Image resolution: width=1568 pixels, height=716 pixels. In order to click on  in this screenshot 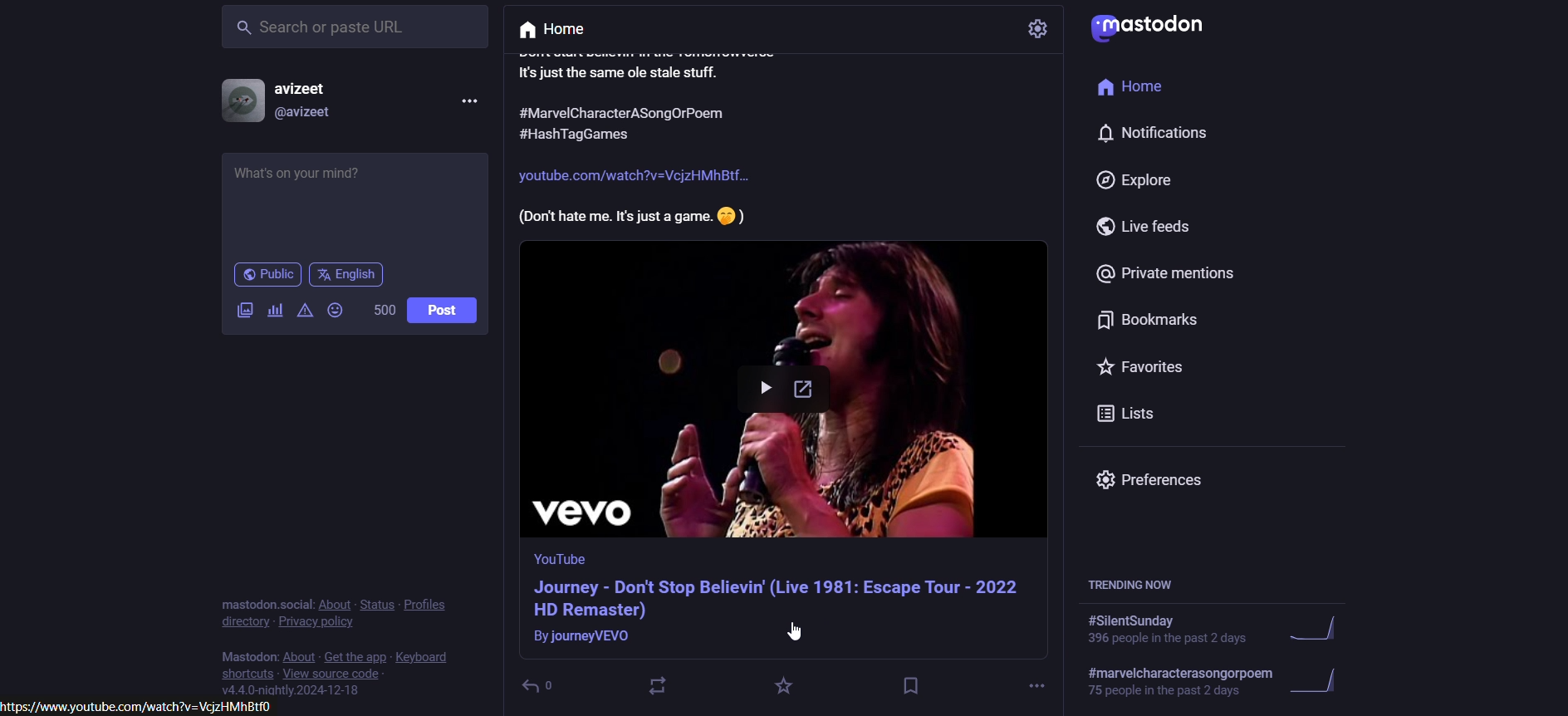, I will do `click(135, 708)`.